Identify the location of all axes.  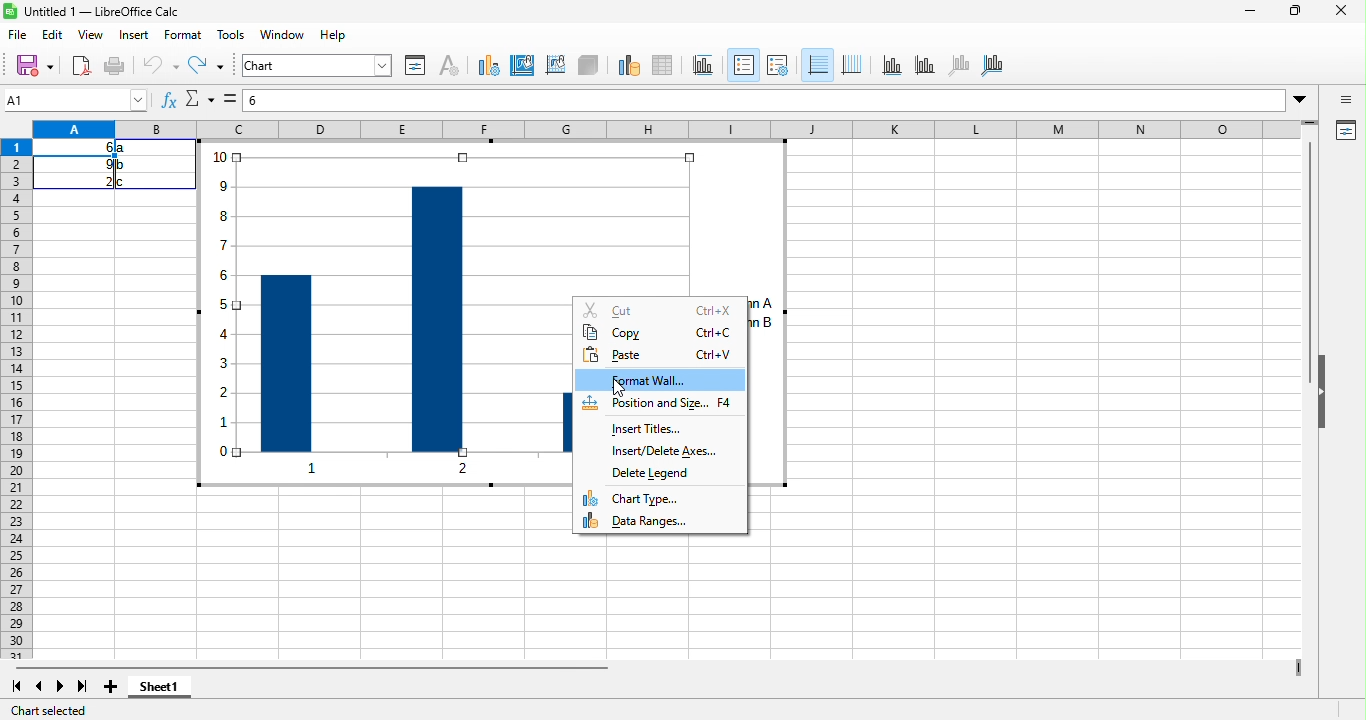
(995, 65).